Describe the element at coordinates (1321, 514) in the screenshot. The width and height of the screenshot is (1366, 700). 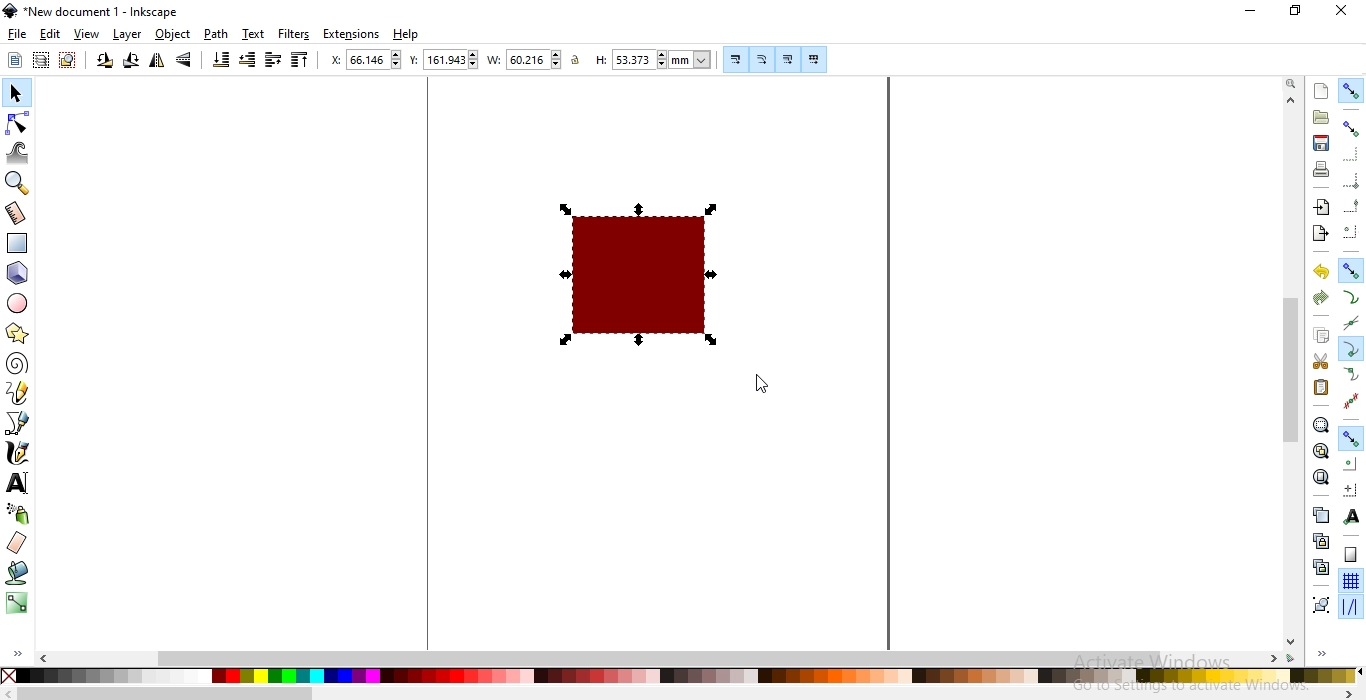
I see `create duplicate` at that location.